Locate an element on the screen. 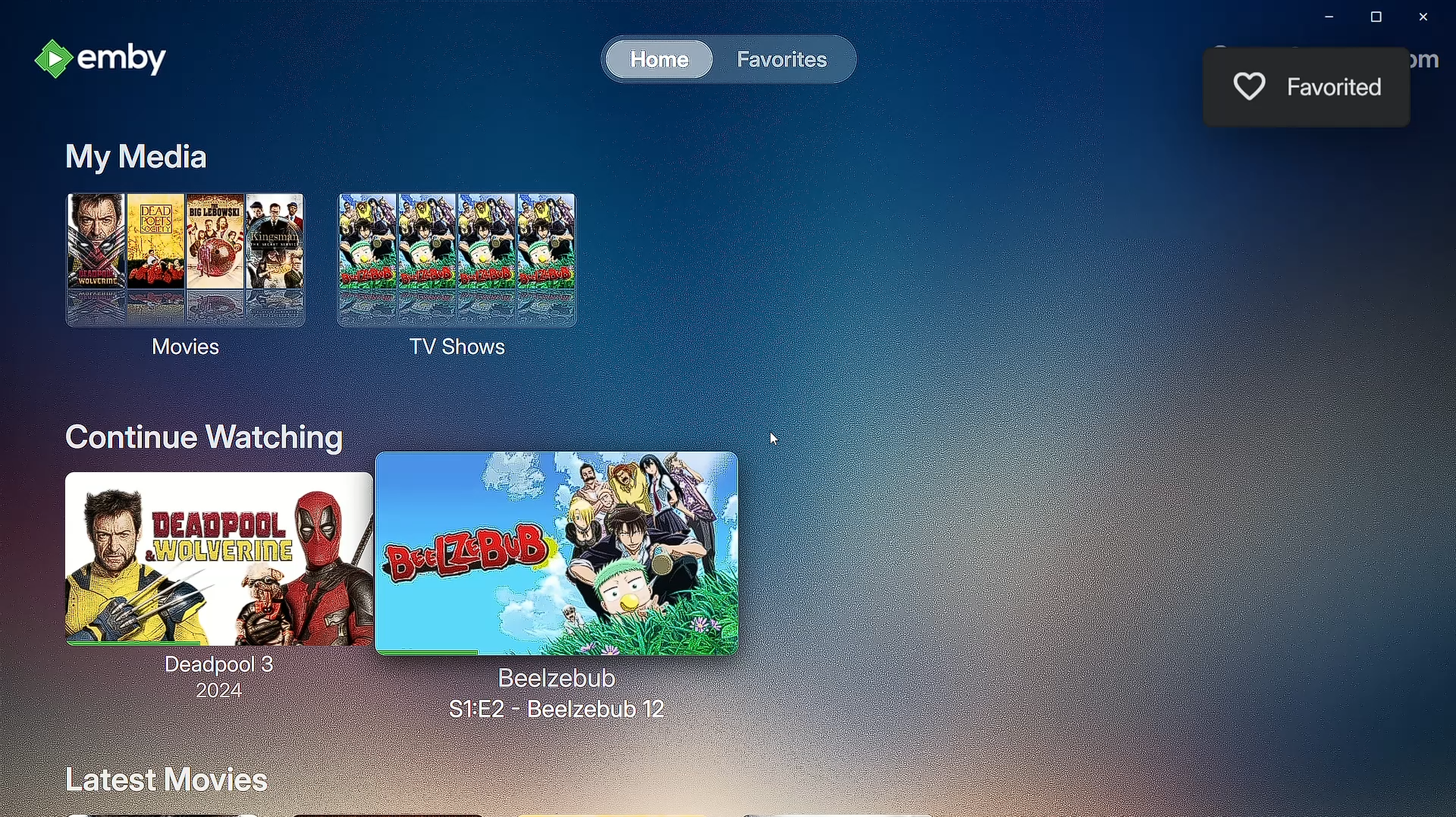 This screenshot has width=1456, height=817. TV Shows is located at coordinates (465, 276).